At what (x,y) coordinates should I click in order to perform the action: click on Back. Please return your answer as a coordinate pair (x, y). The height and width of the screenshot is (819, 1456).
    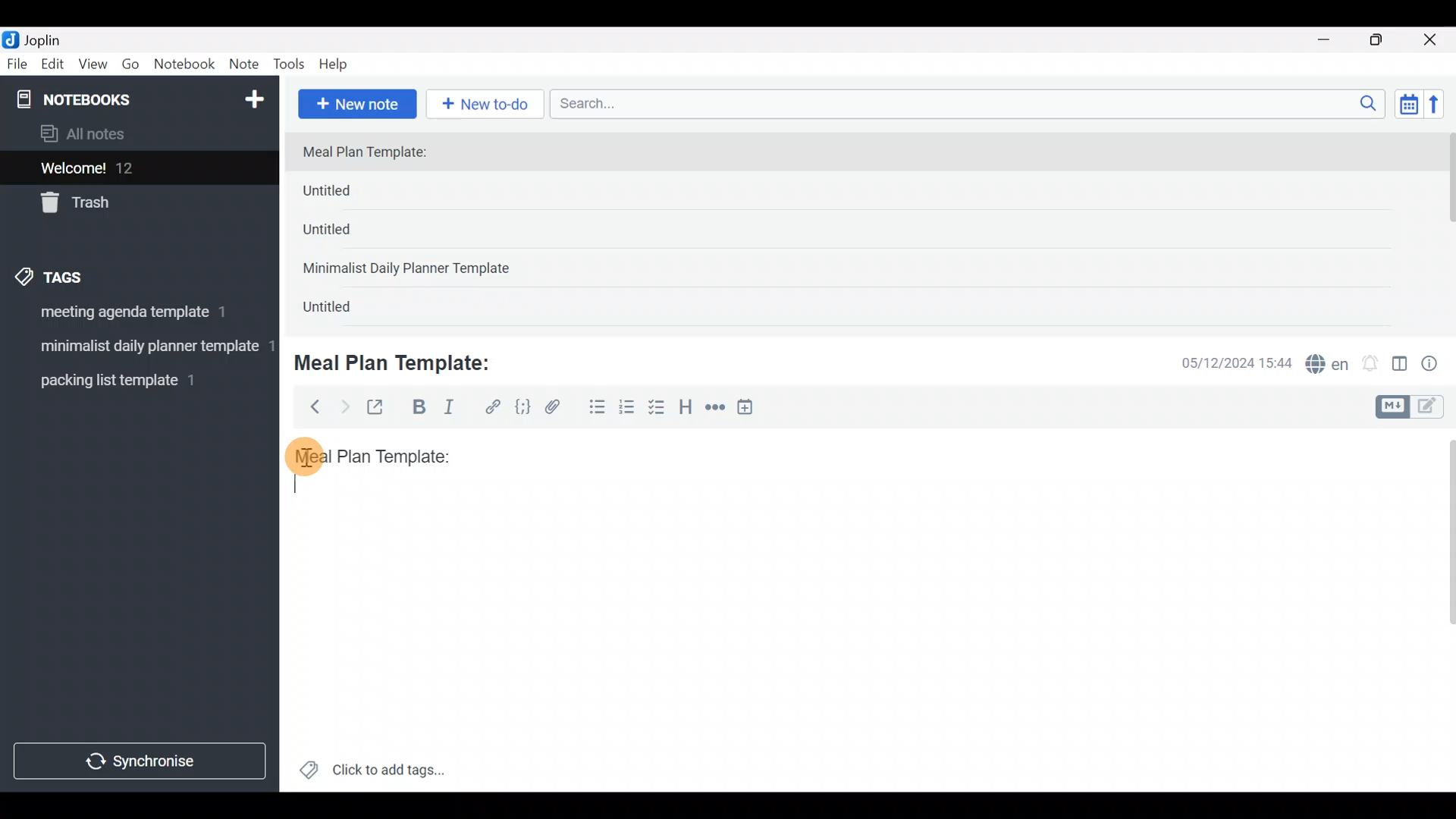
    Looking at the image, I should click on (309, 406).